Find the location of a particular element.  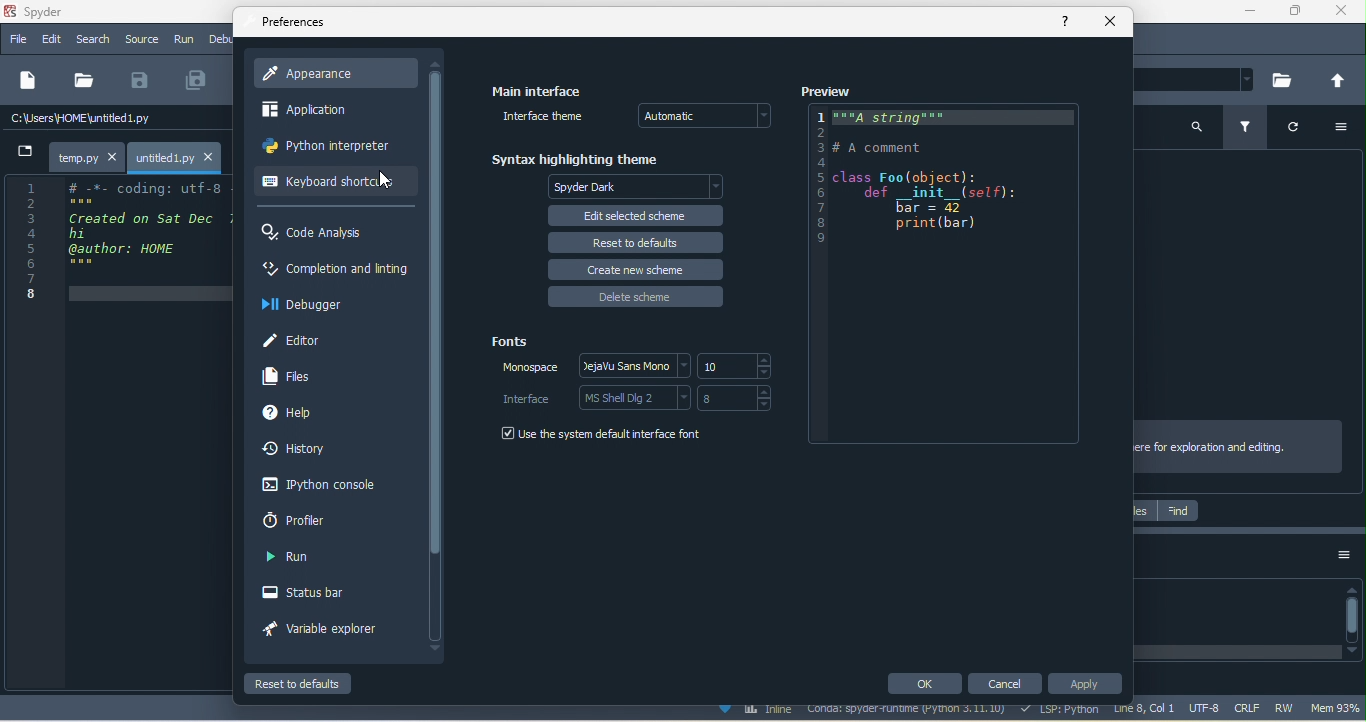

exit selected scheme is located at coordinates (635, 214).